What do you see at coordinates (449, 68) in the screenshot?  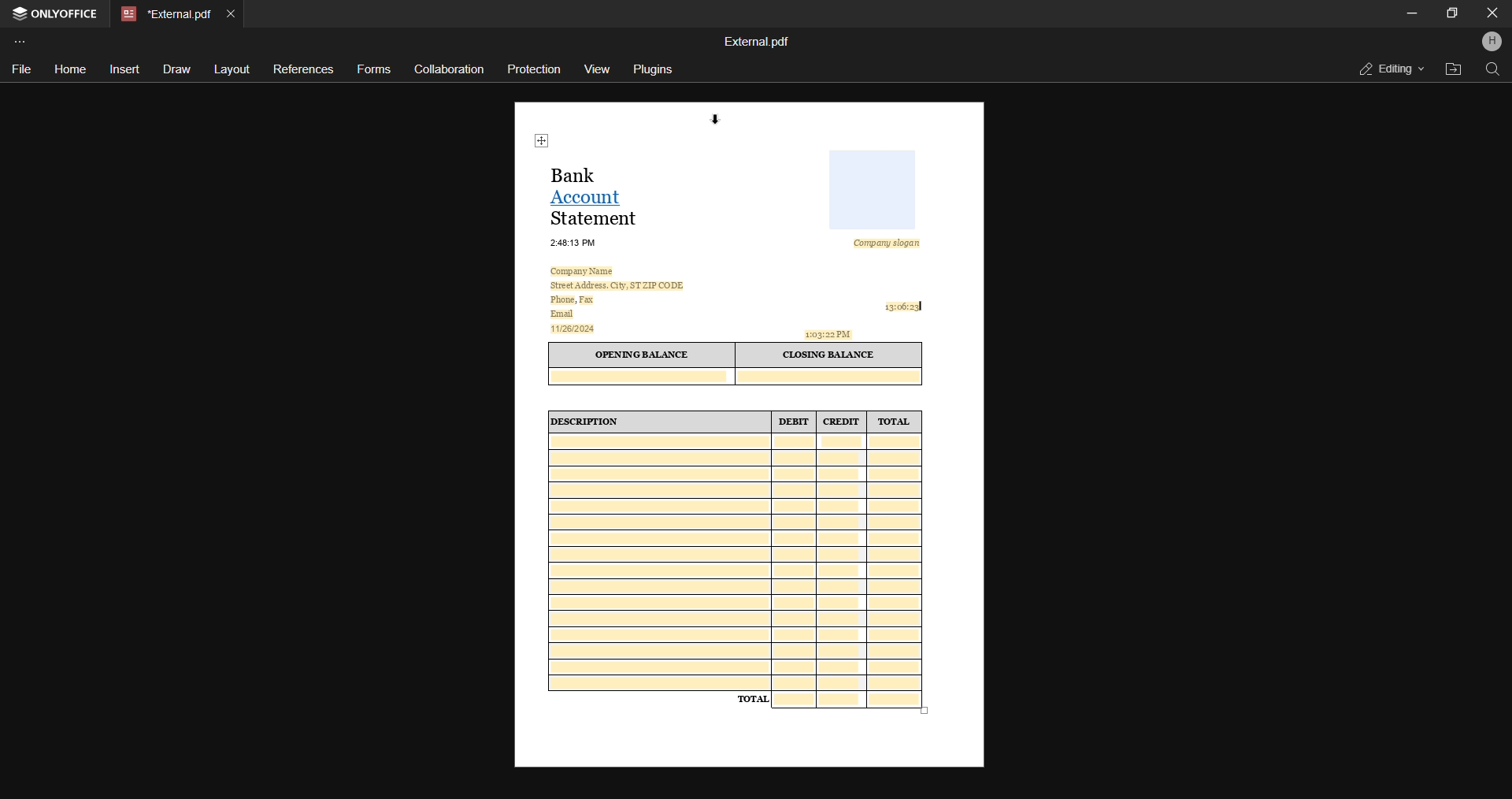 I see `collaboration` at bounding box center [449, 68].